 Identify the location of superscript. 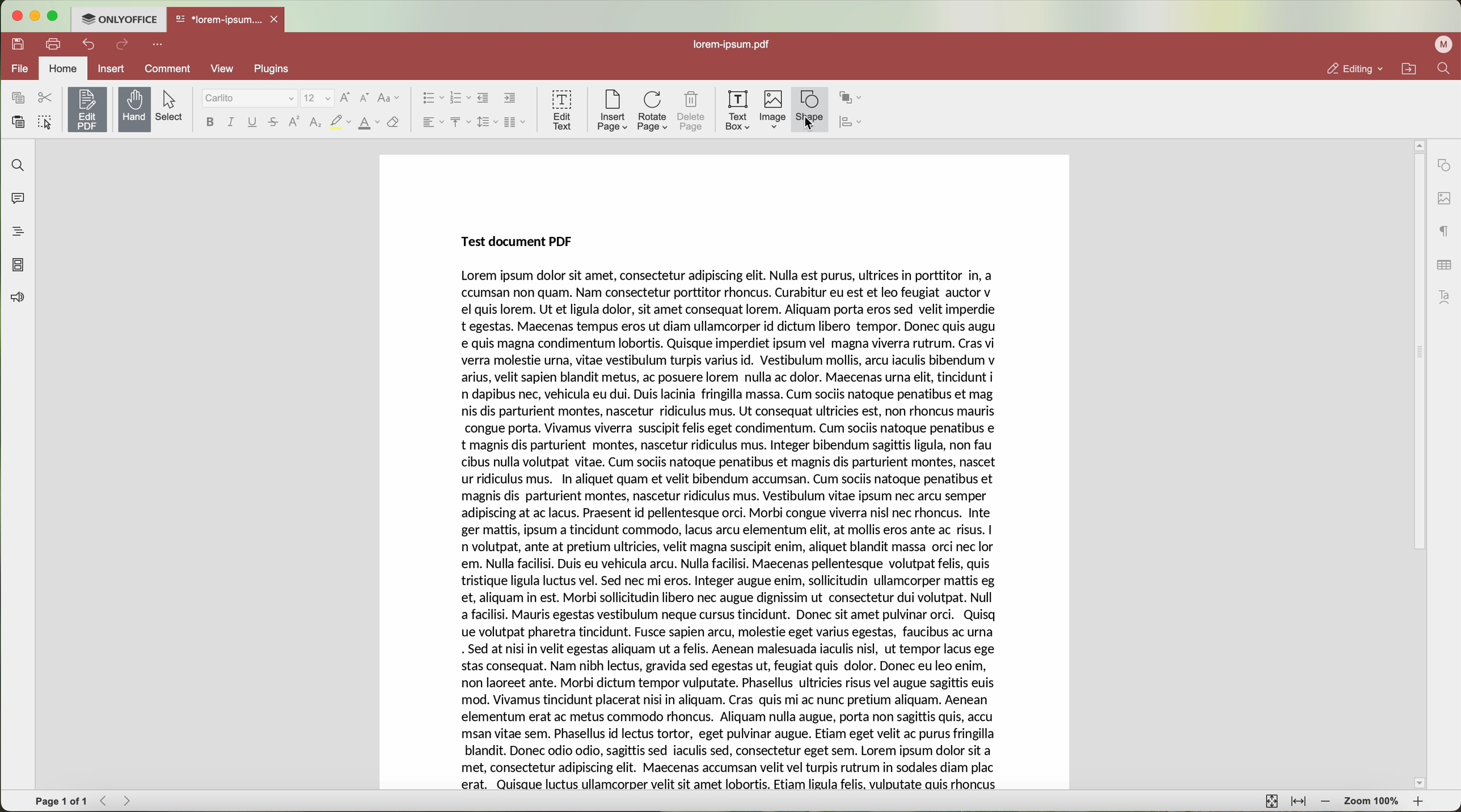
(293, 122).